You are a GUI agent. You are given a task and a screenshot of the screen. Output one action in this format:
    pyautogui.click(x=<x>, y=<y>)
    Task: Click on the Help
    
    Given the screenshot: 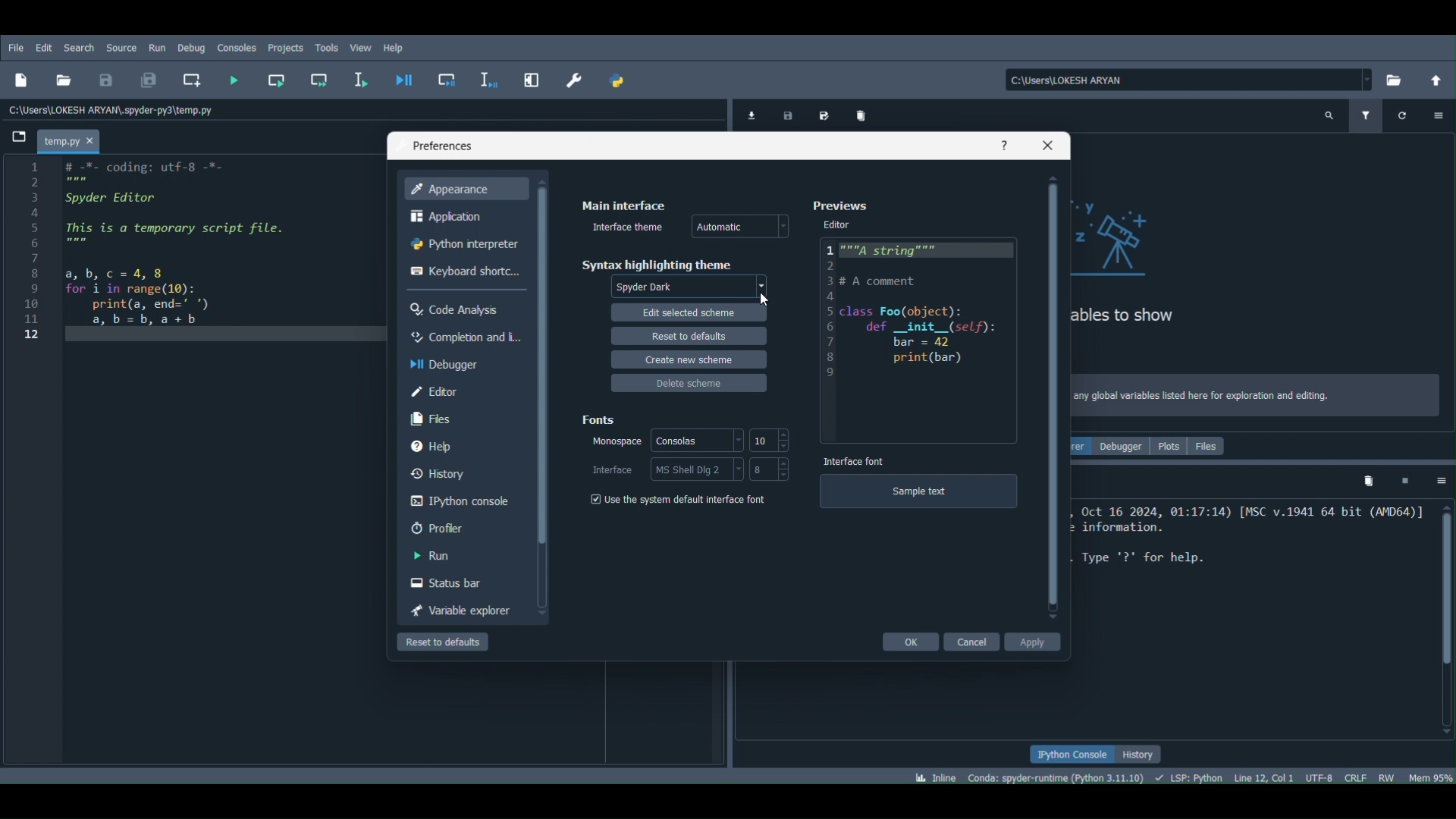 What is the action you would take?
    pyautogui.click(x=466, y=444)
    